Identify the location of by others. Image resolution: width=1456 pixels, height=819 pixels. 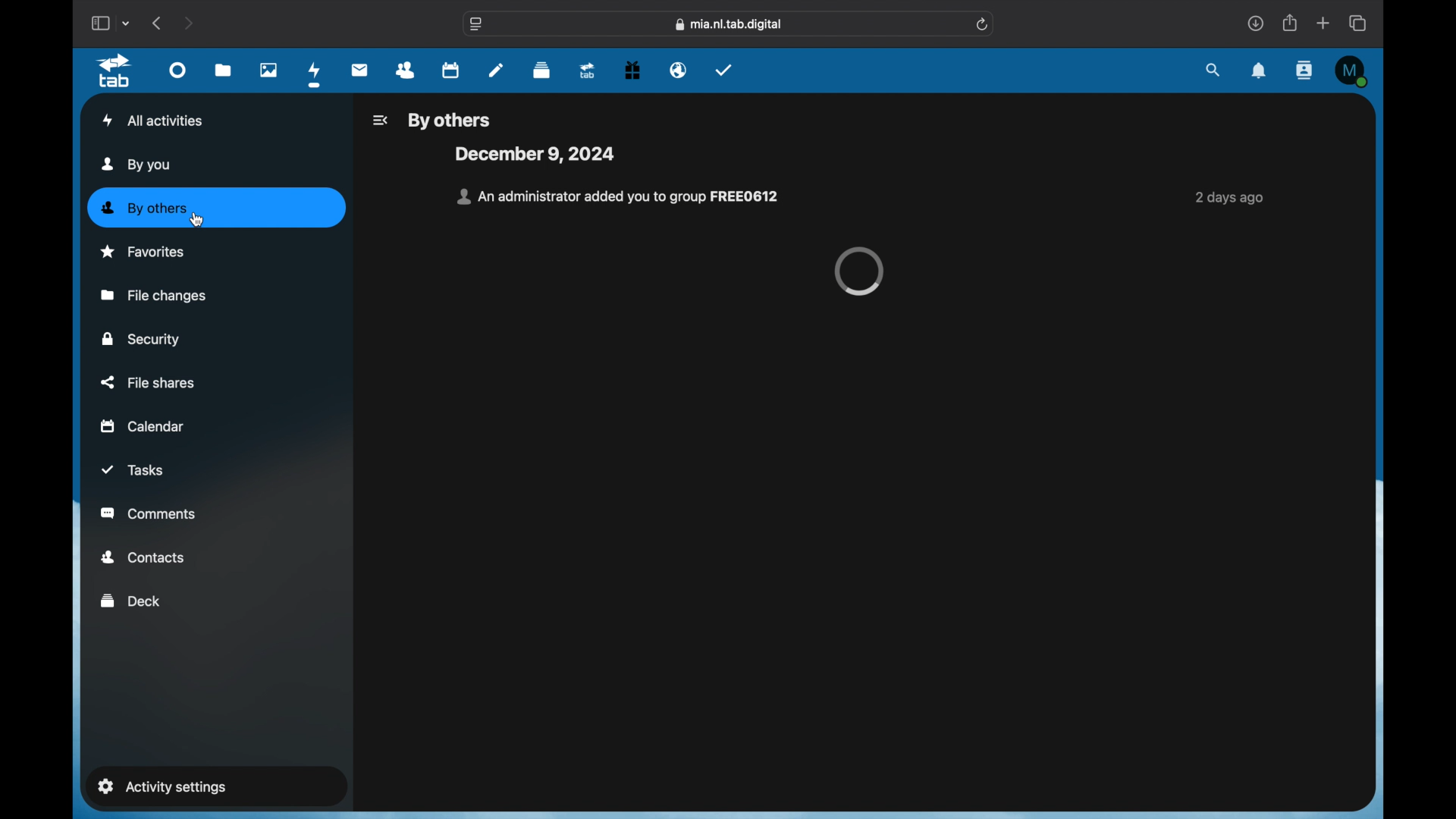
(450, 120).